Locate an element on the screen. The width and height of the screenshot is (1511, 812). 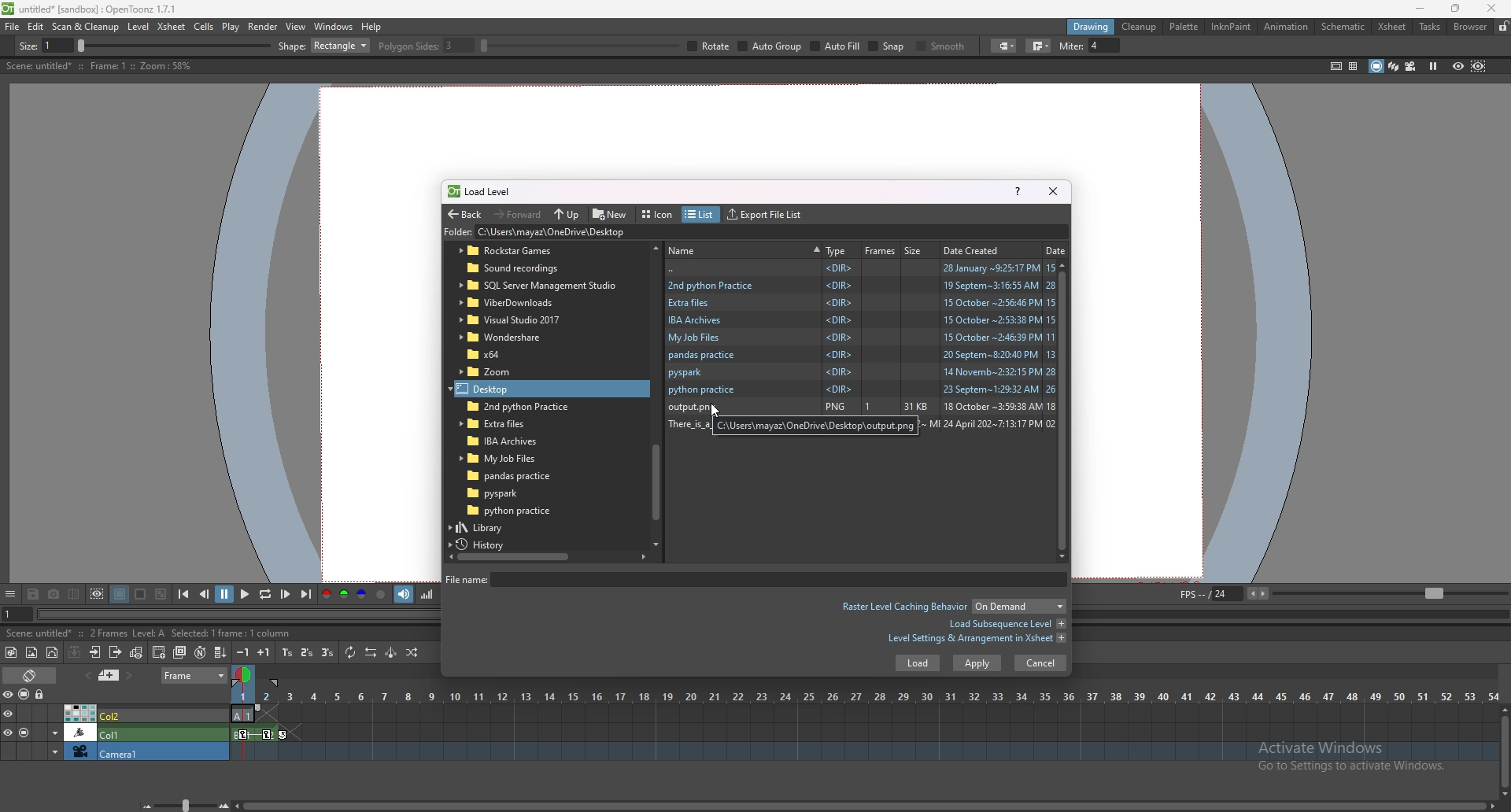
toggle edit in place is located at coordinates (136, 652).